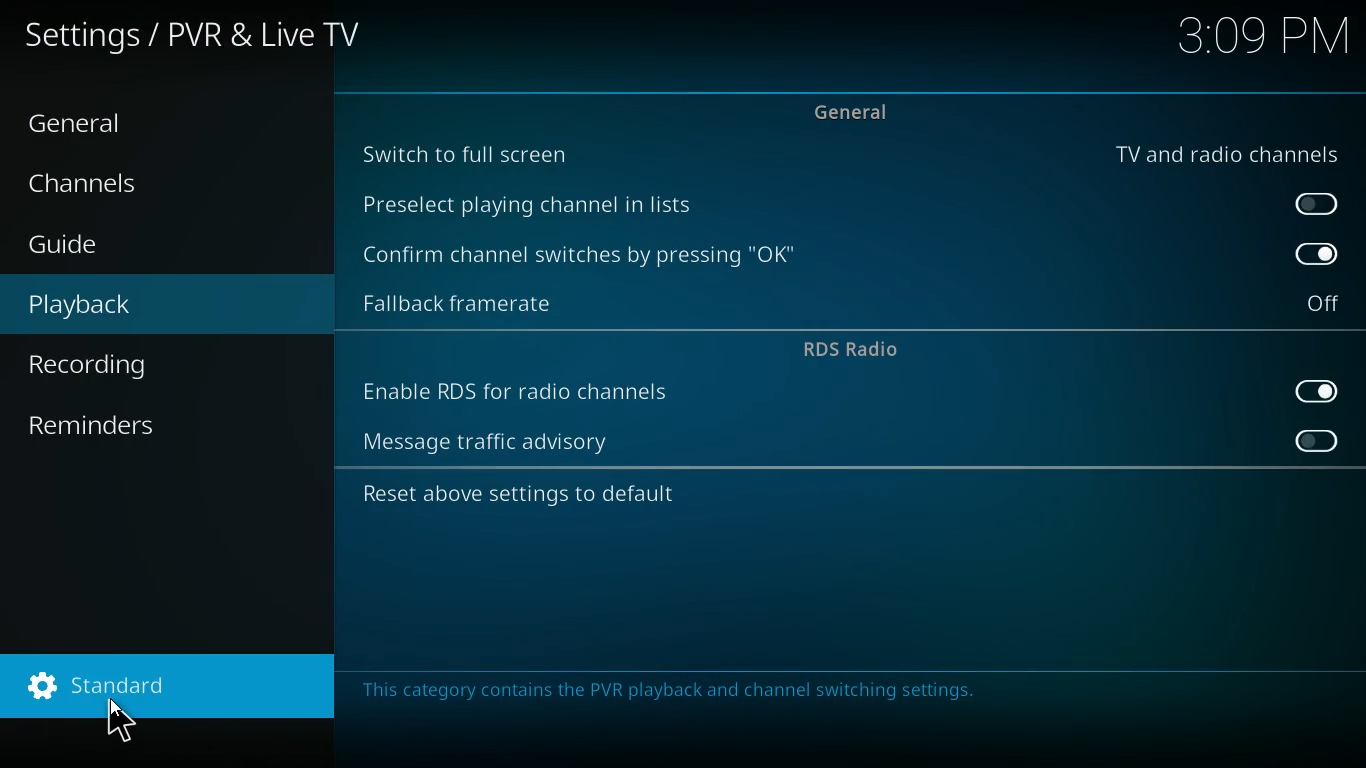  What do you see at coordinates (476, 156) in the screenshot?
I see `switch to full screen` at bounding box center [476, 156].